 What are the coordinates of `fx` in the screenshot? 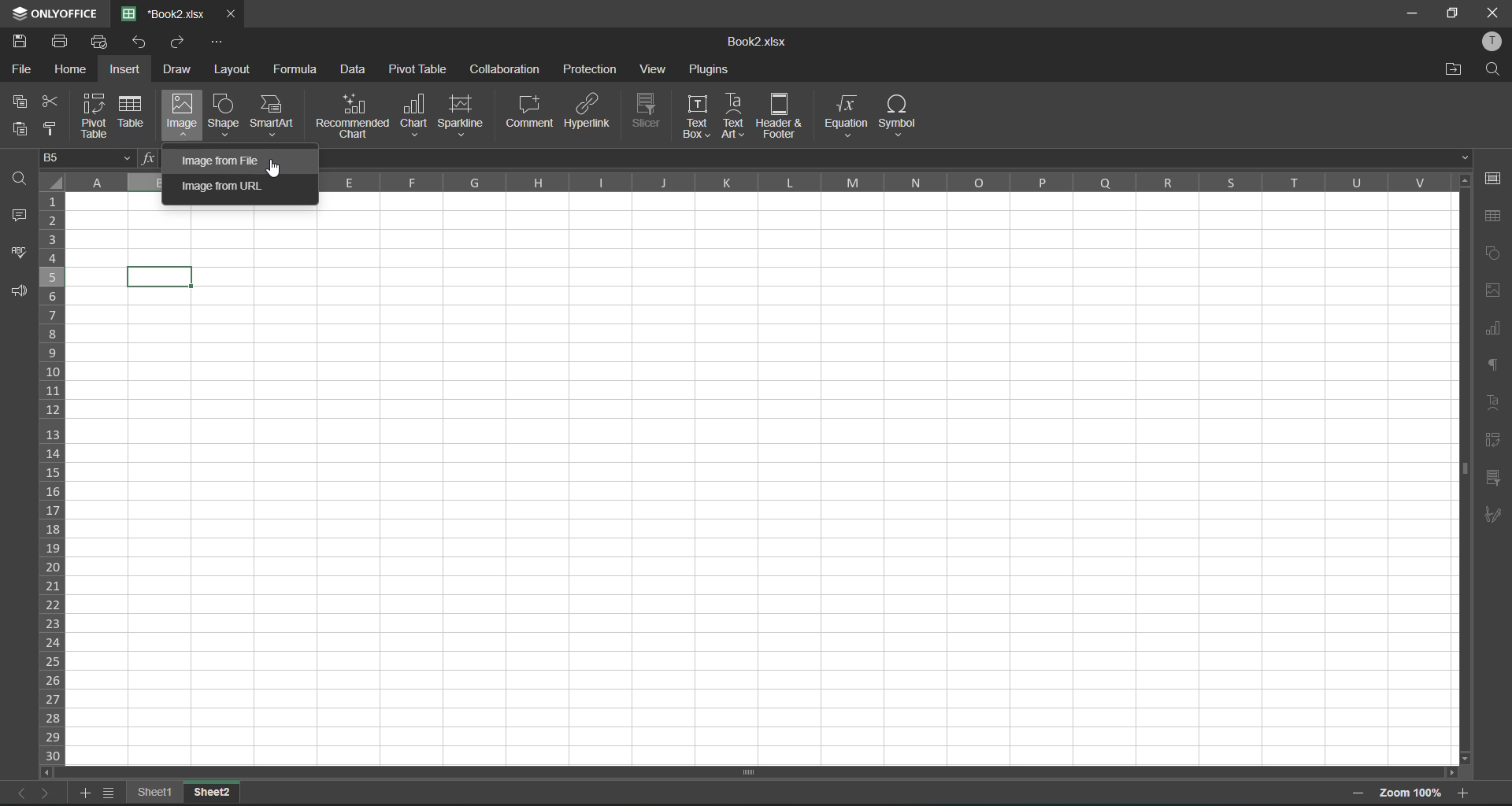 It's located at (144, 158).